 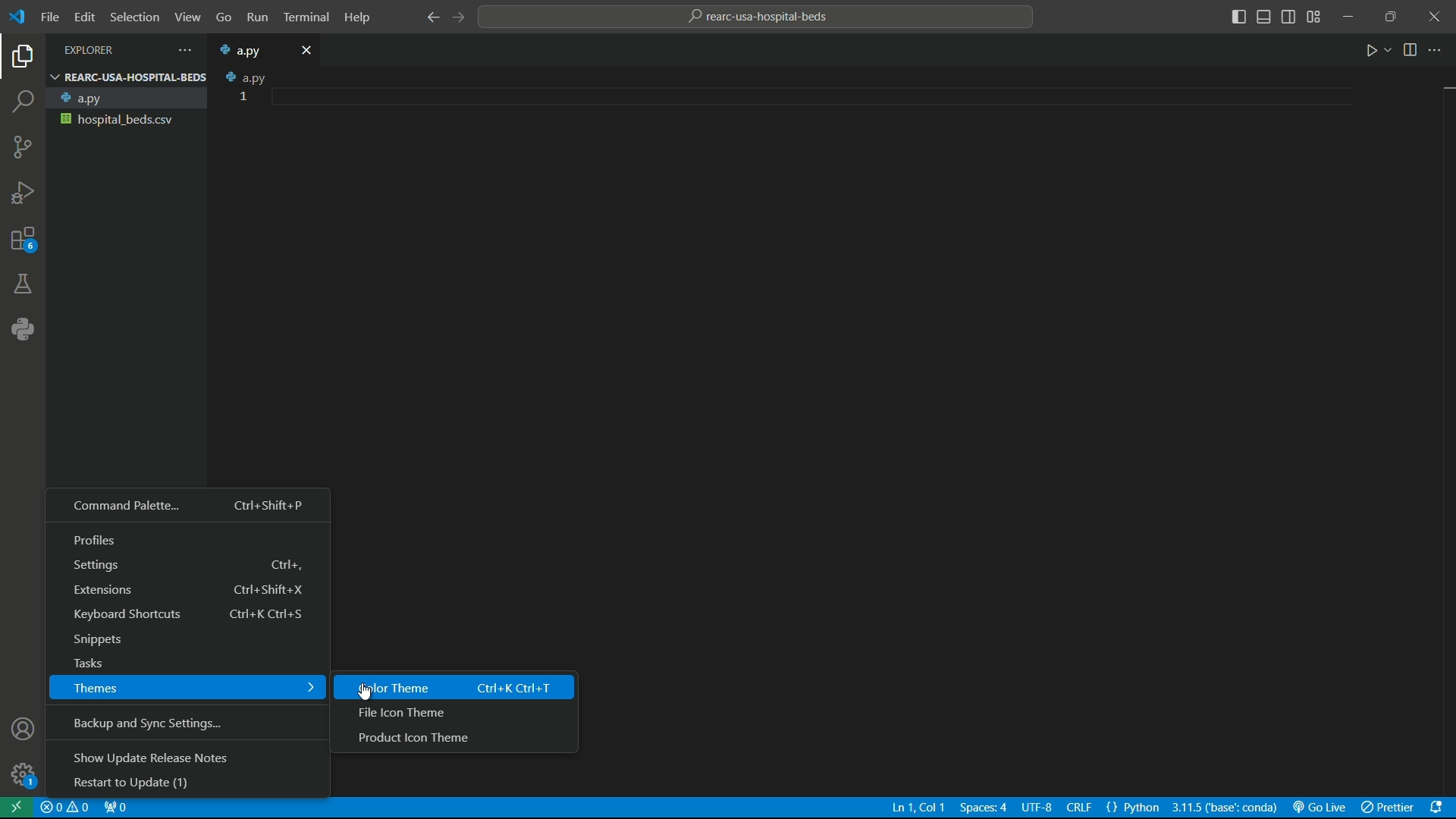 I want to click on 1, so click(x=245, y=96).